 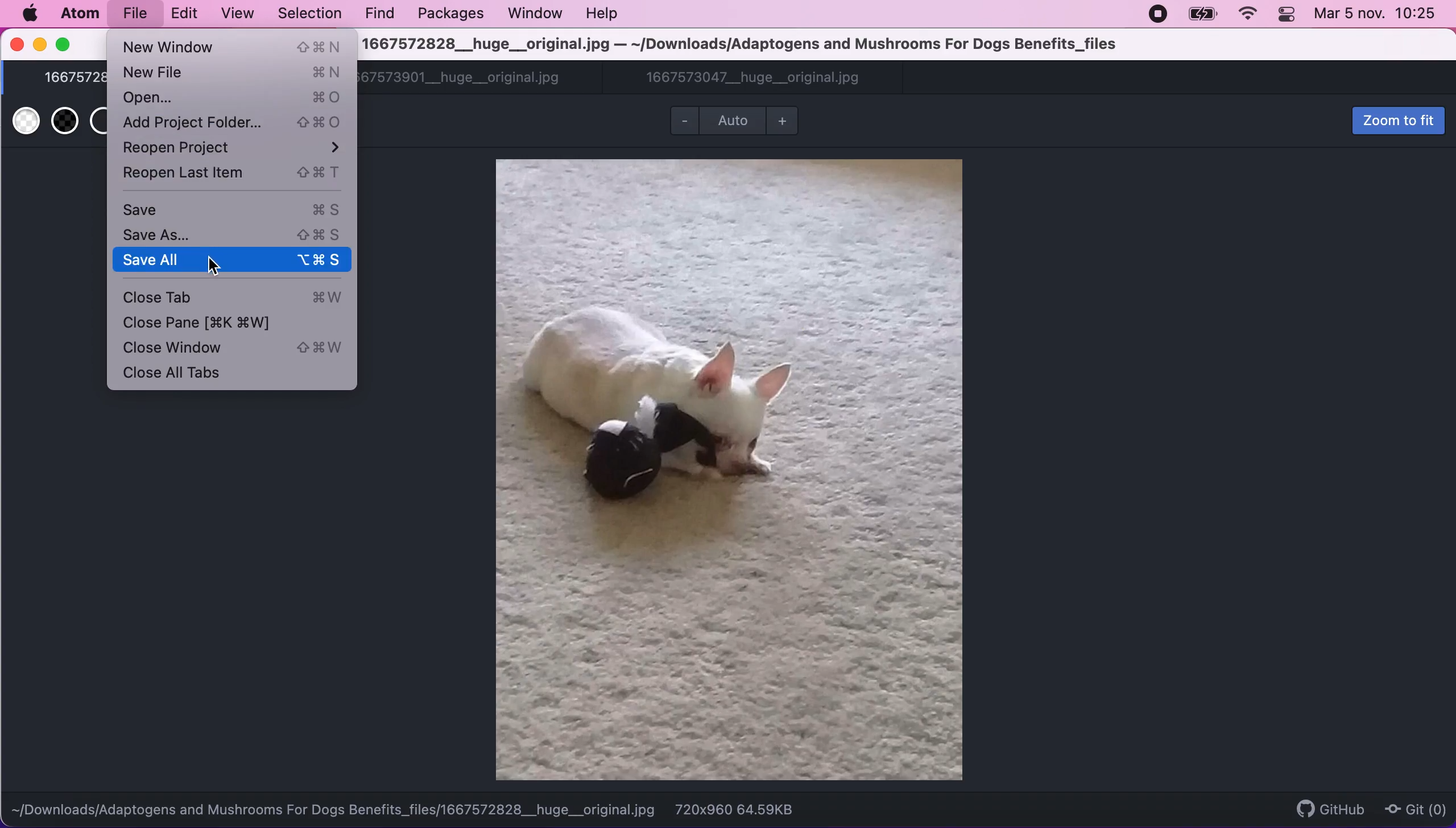 I want to click on battery, so click(x=1200, y=16).